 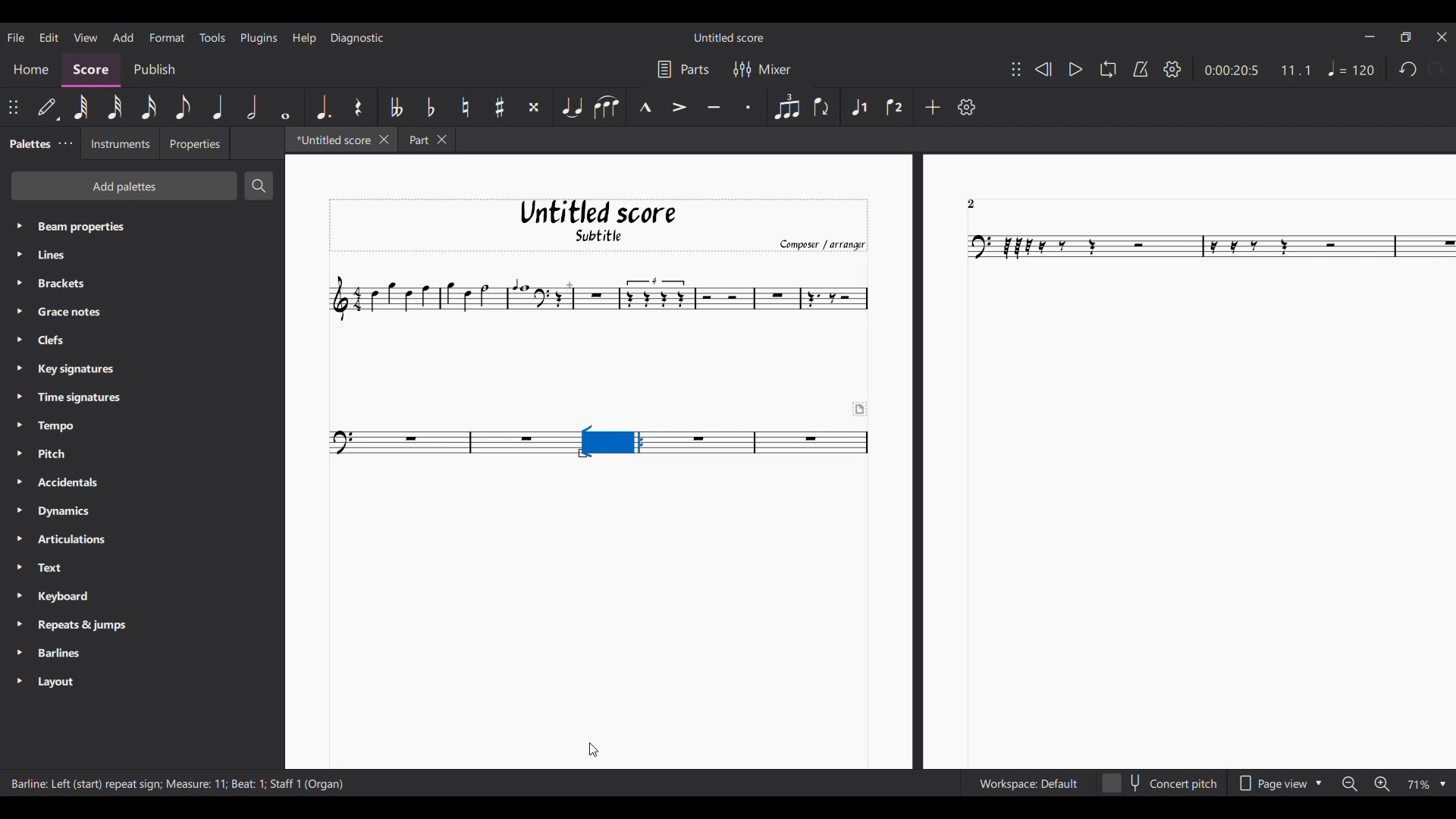 What do you see at coordinates (1043, 69) in the screenshot?
I see `Rewind` at bounding box center [1043, 69].